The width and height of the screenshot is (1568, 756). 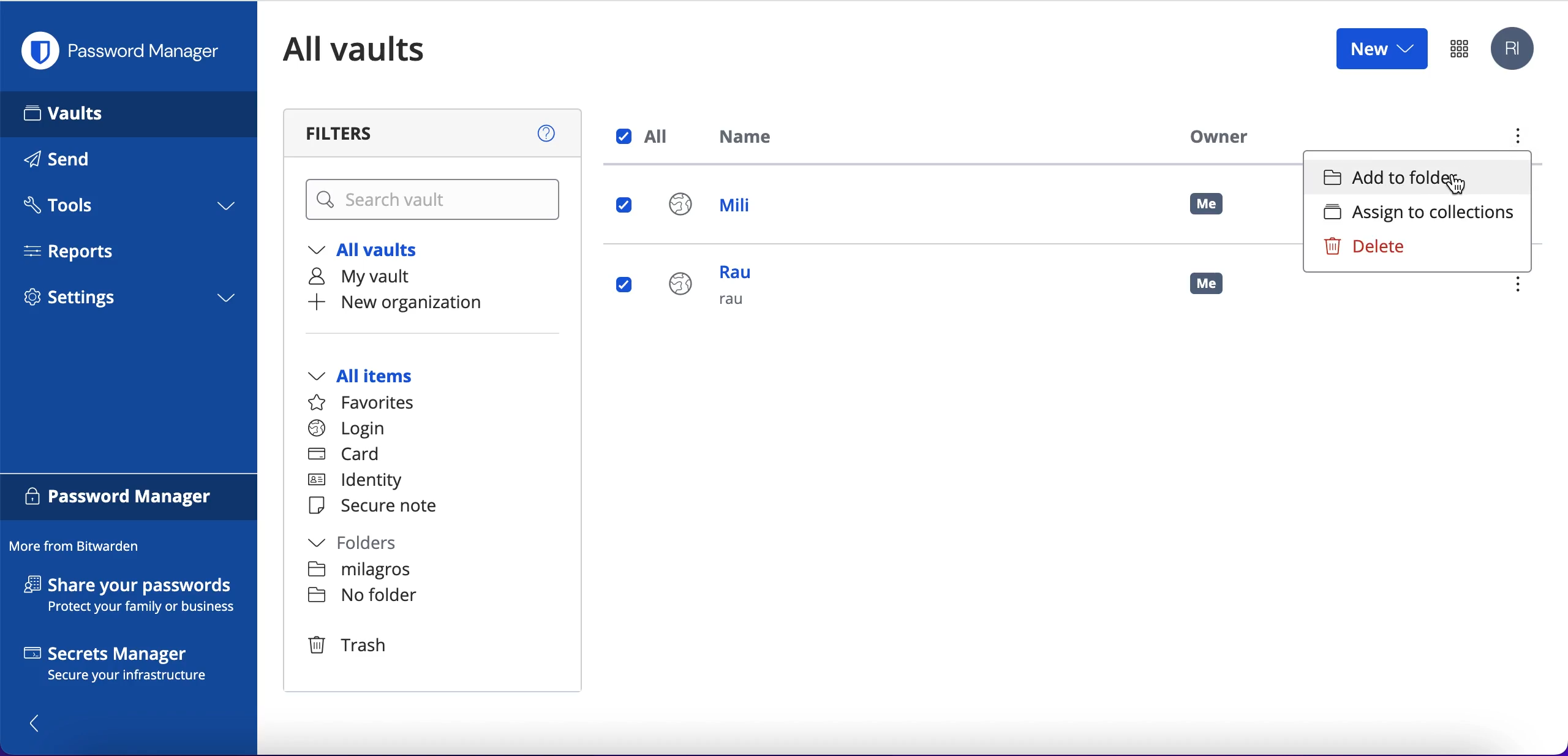 What do you see at coordinates (372, 49) in the screenshot?
I see `all vaults` at bounding box center [372, 49].